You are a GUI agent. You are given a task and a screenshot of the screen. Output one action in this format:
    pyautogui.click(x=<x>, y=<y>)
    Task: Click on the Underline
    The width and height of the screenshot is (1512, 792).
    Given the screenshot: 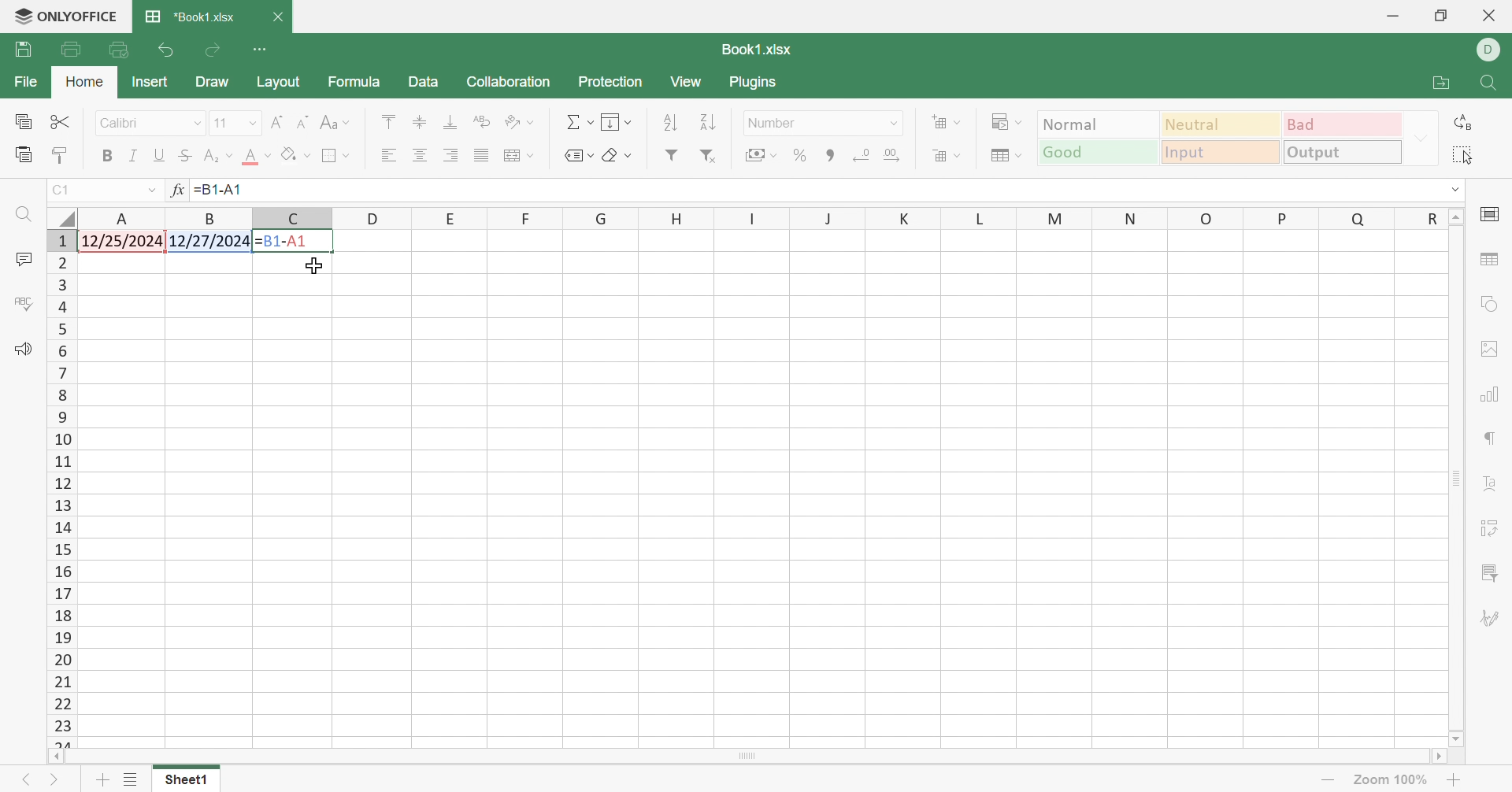 What is the action you would take?
    pyautogui.click(x=159, y=154)
    